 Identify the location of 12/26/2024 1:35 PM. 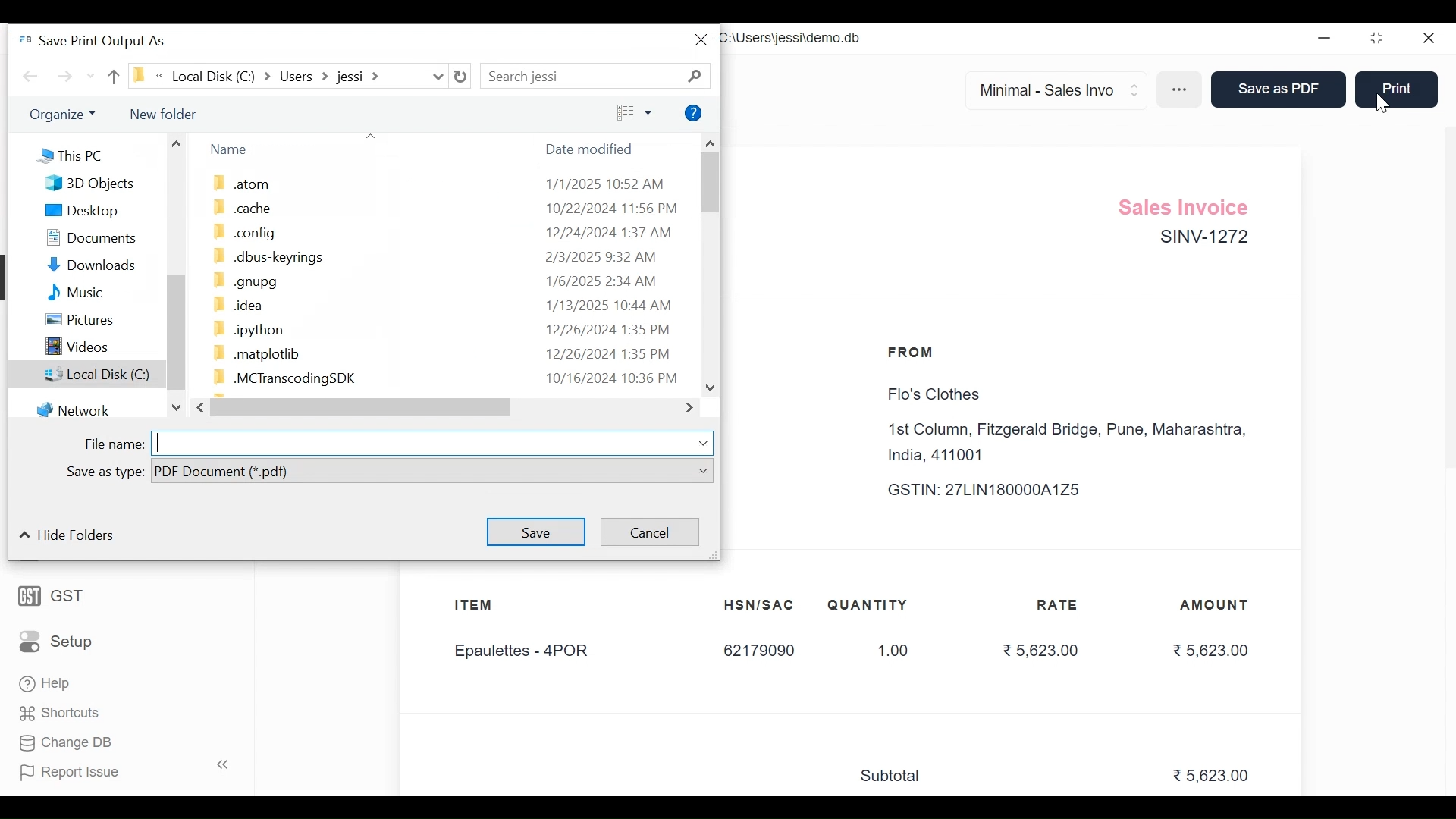
(608, 329).